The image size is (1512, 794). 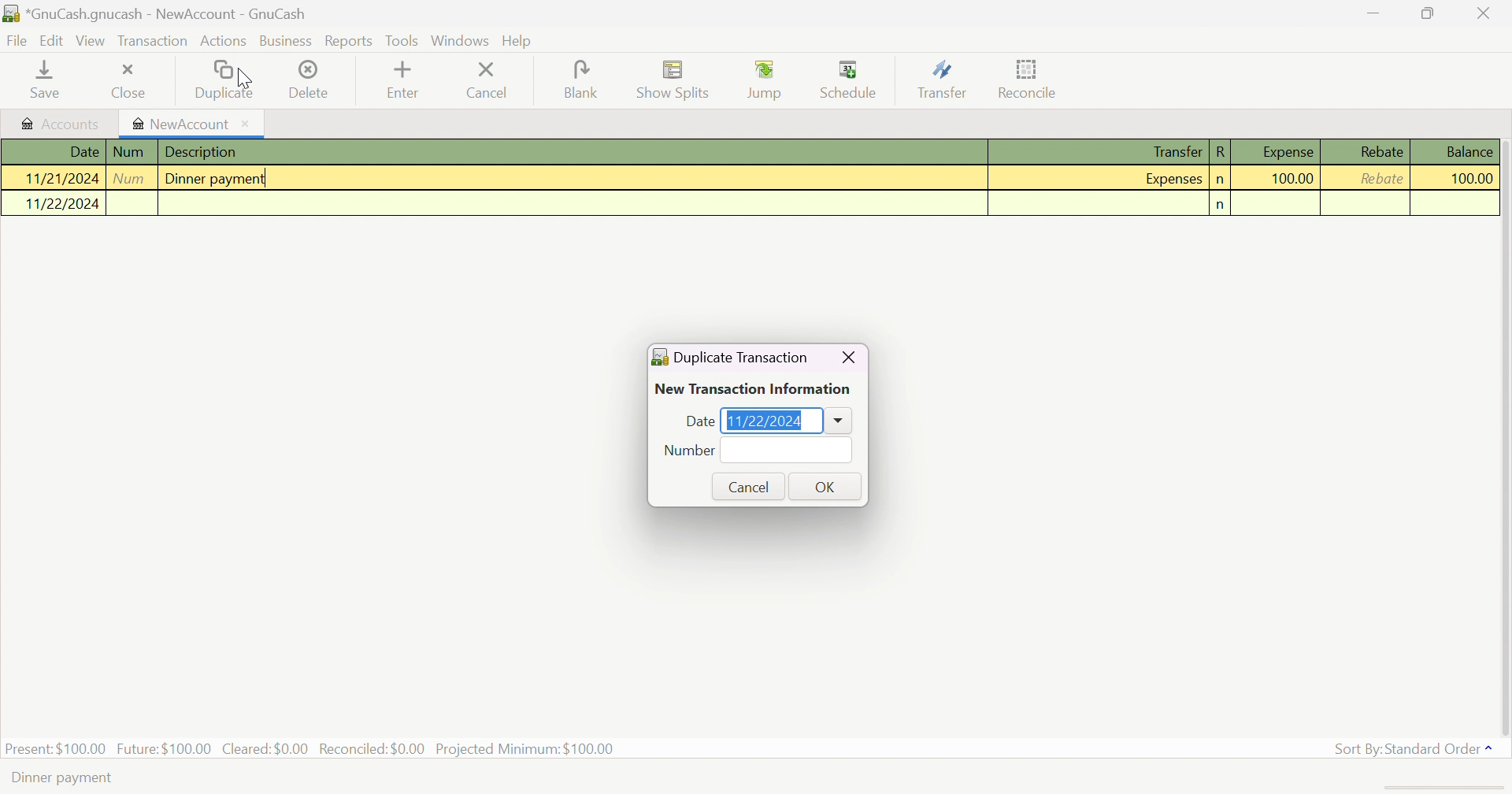 I want to click on Transaction, so click(x=154, y=42).